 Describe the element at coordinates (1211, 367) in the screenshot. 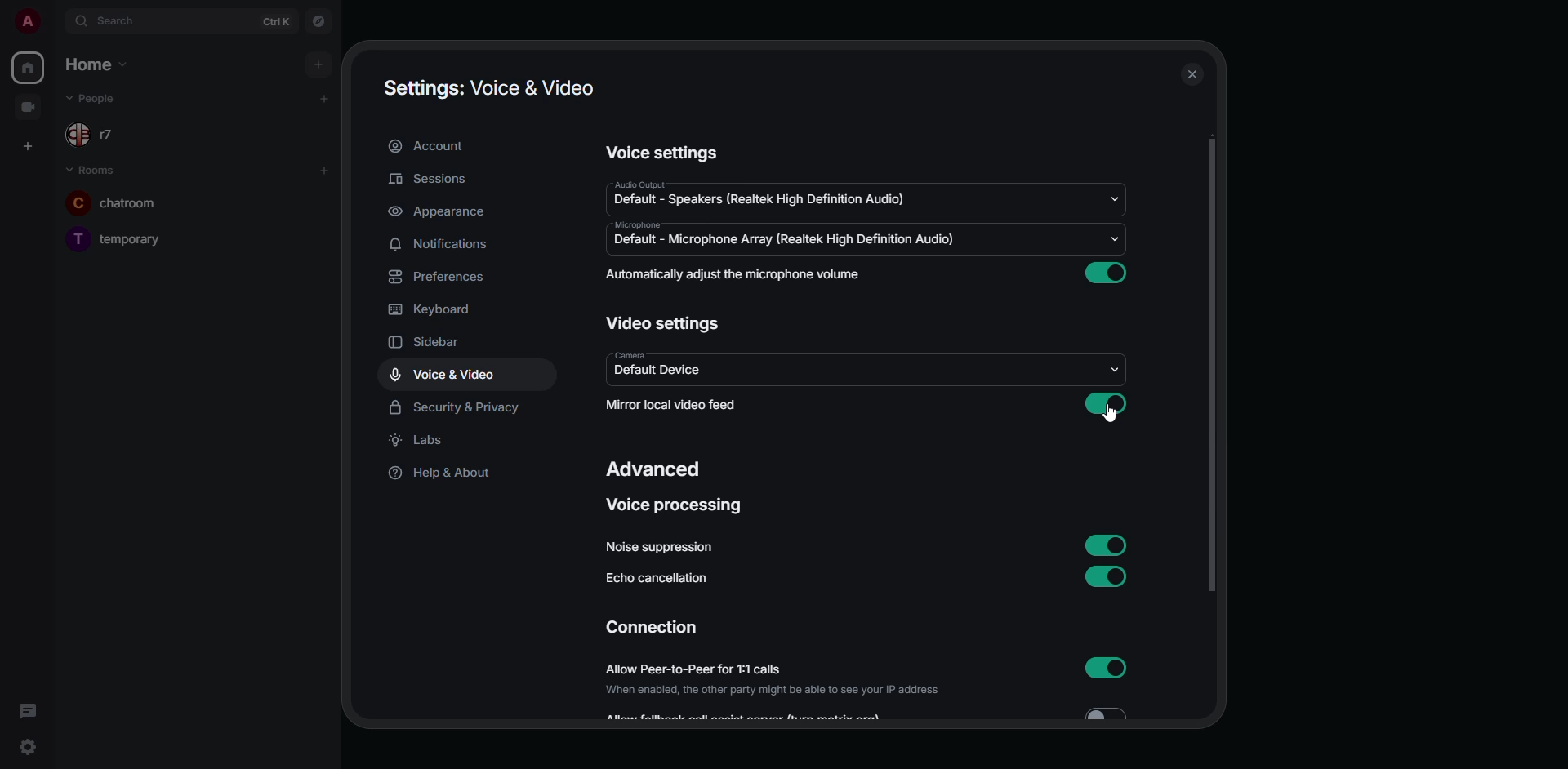

I see `scroll bar` at that location.